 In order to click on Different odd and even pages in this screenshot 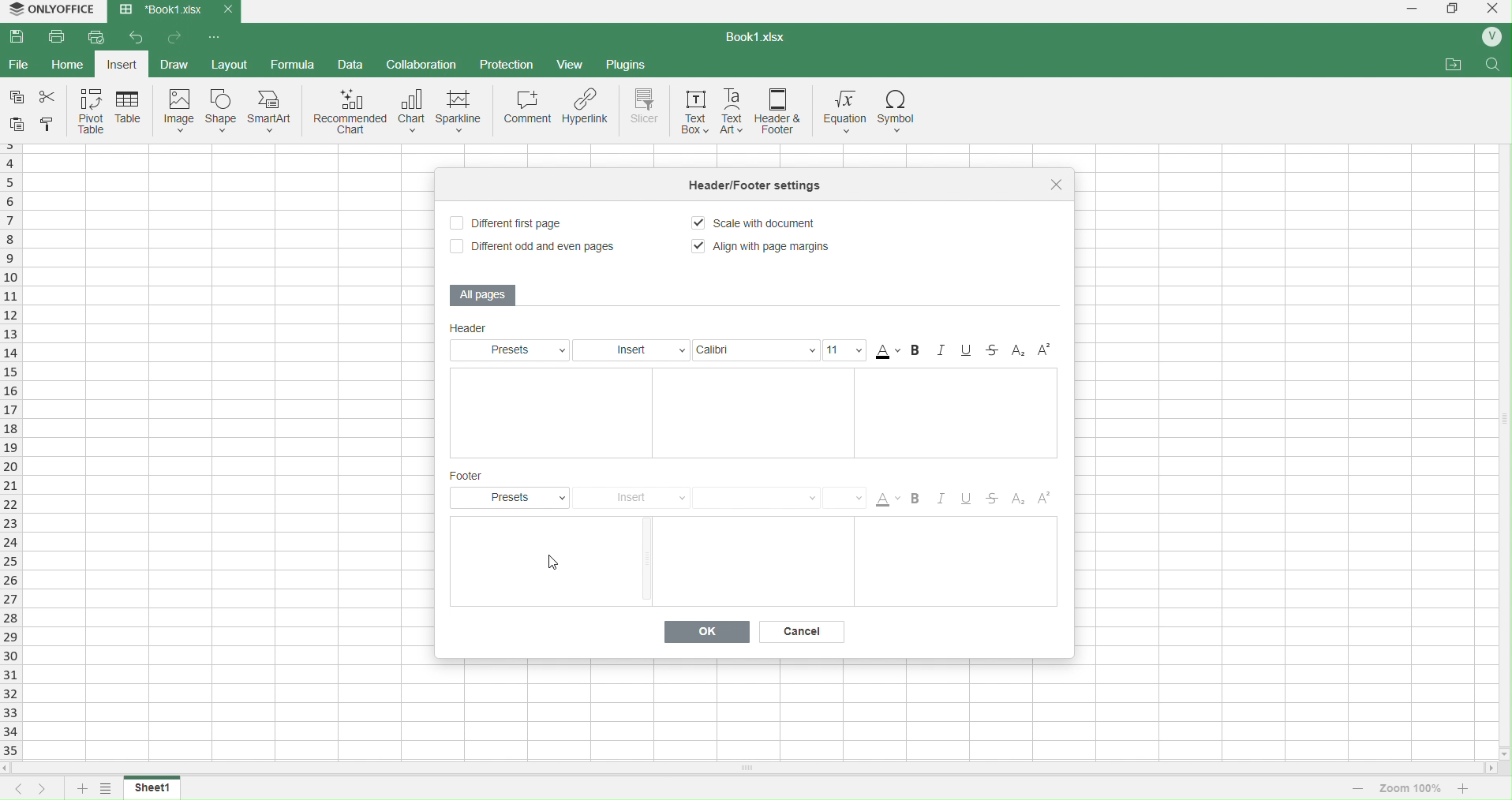, I will do `click(531, 248)`.